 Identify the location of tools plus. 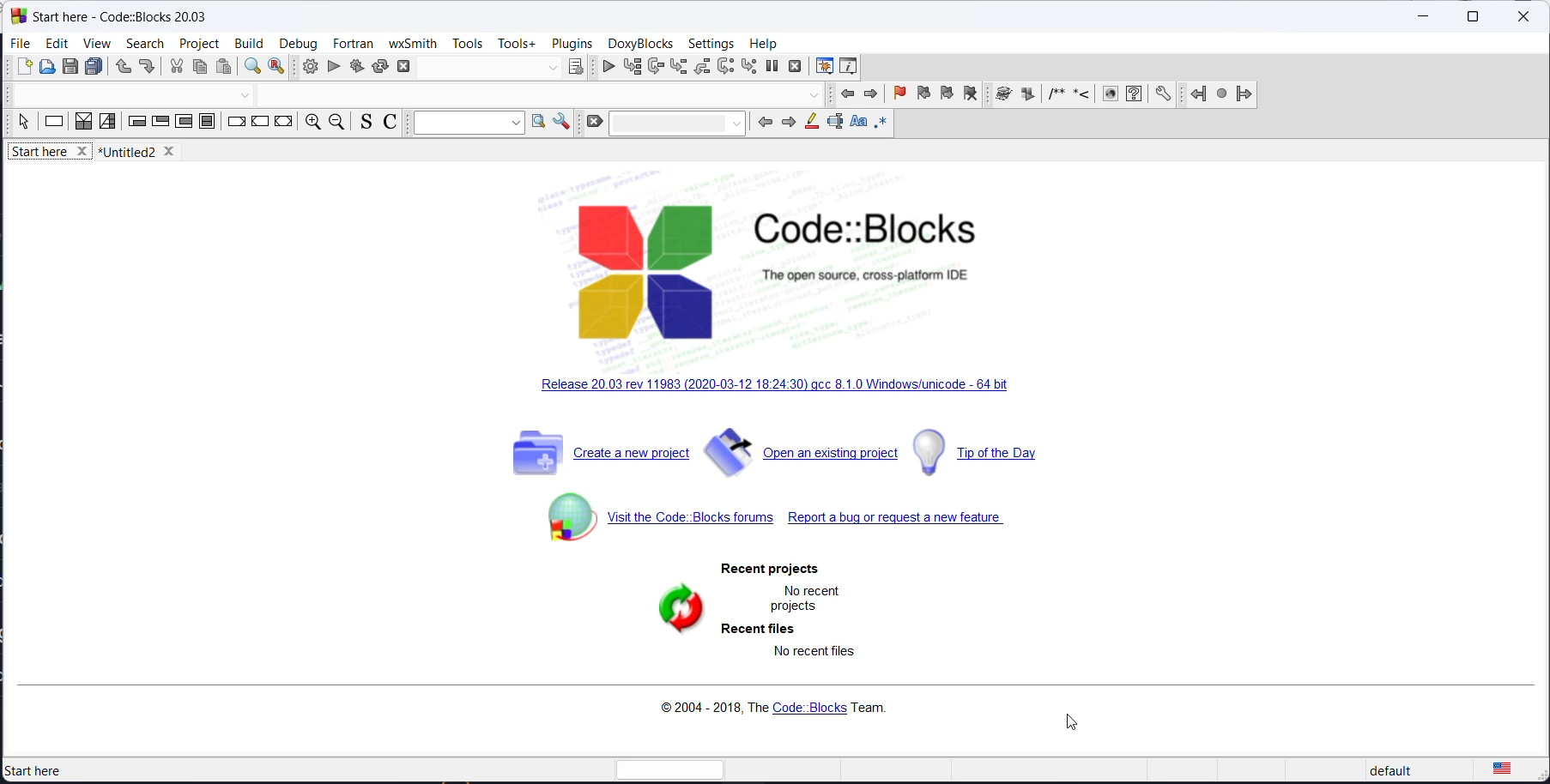
(517, 44).